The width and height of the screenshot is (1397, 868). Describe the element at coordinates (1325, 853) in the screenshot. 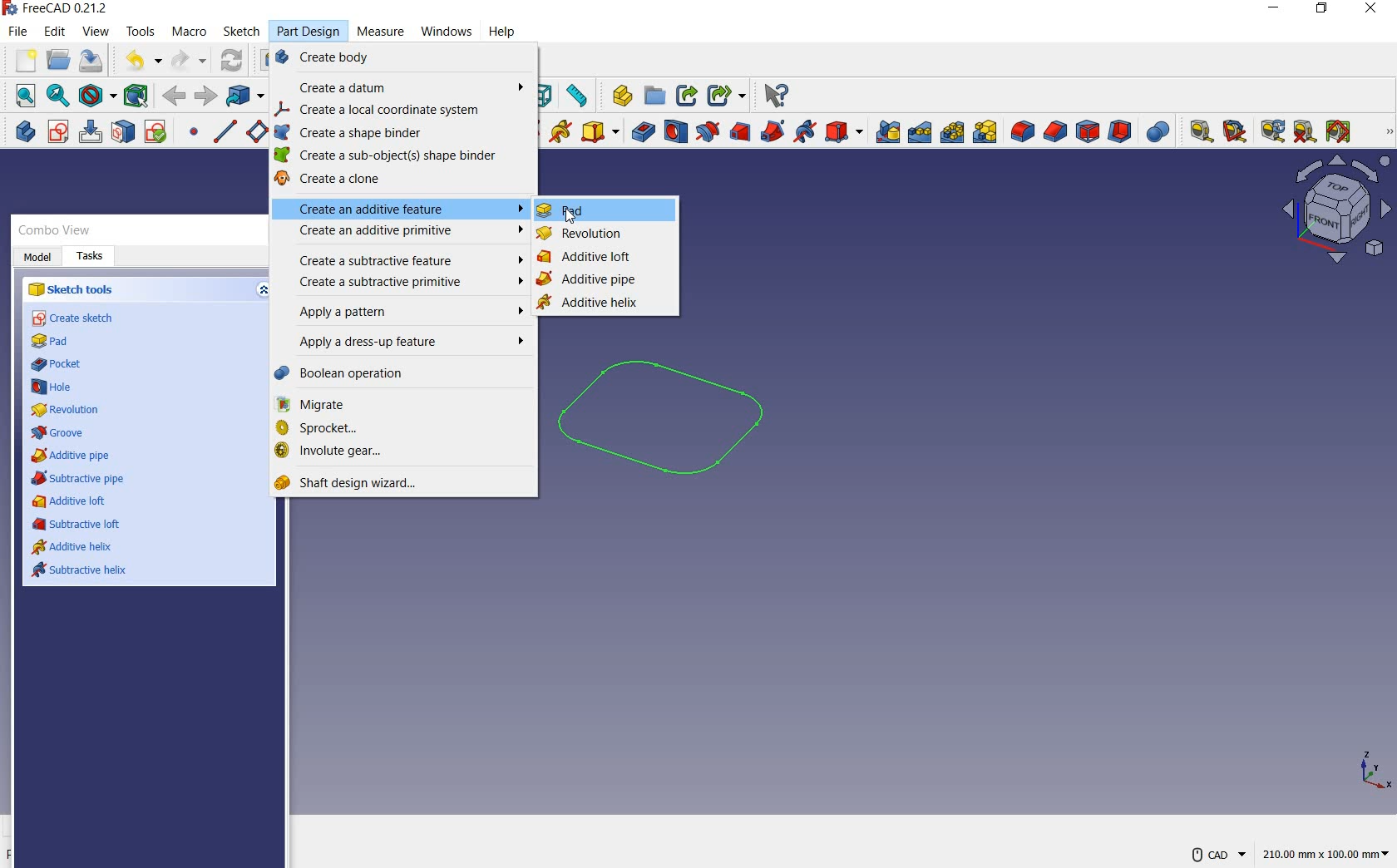

I see `221.93mm x 100.00mm` at that location.